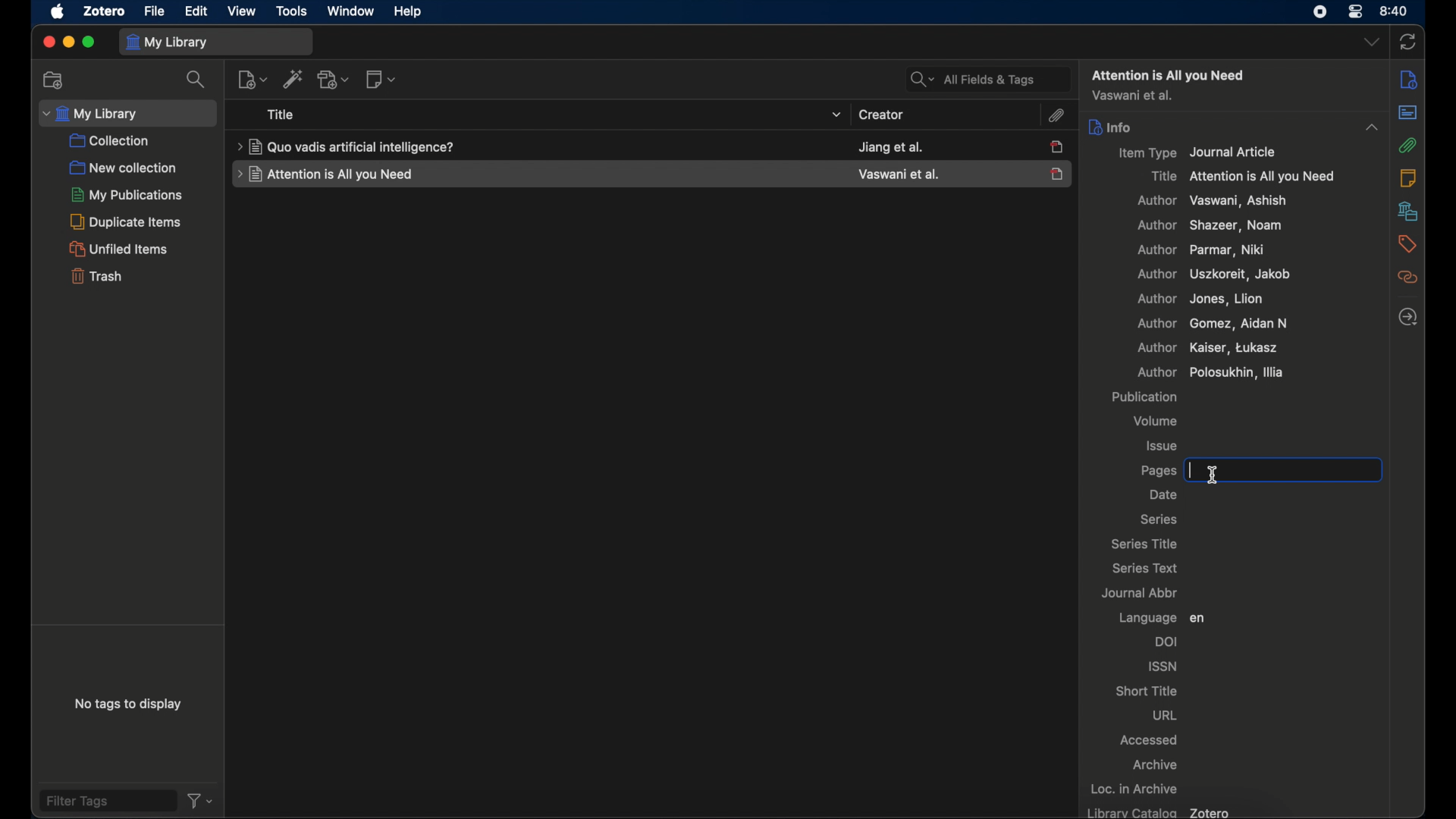  I want to click on dropdown menu, so click(1370, 43).